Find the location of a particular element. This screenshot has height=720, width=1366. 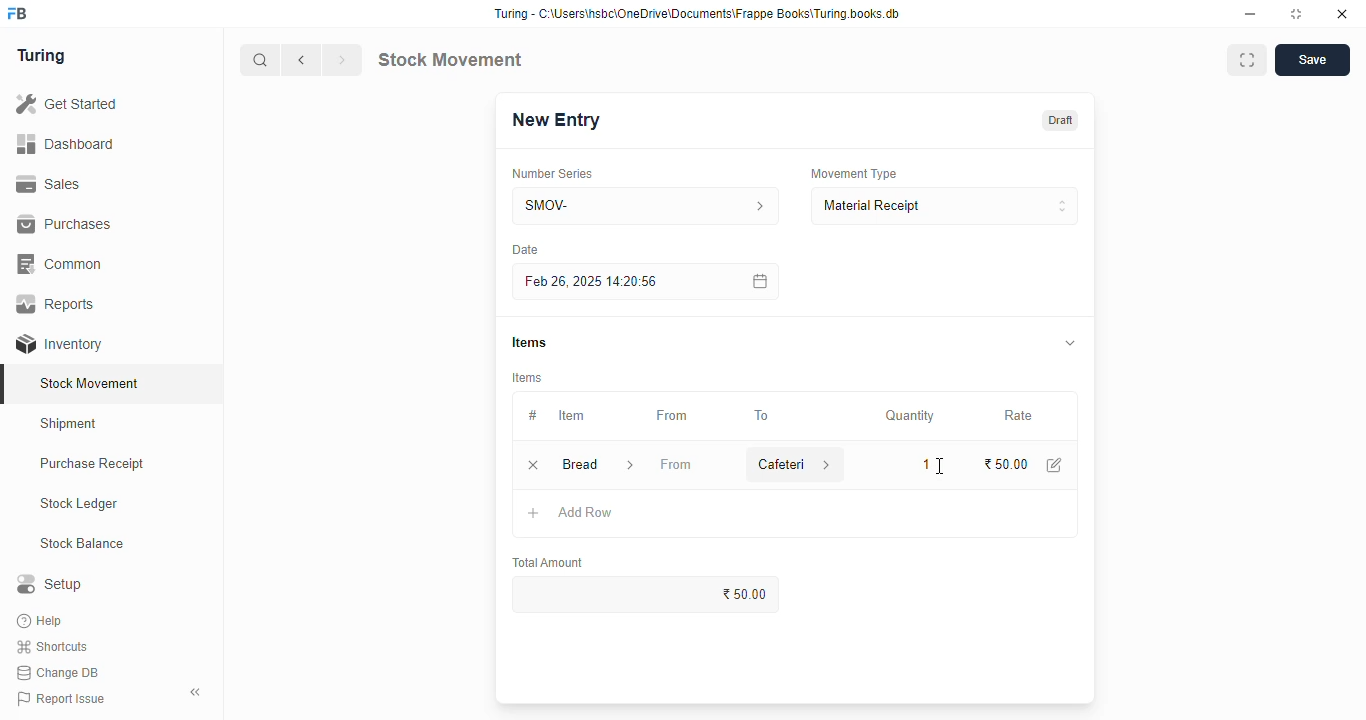

draft is located at coordinates (1062, 120).